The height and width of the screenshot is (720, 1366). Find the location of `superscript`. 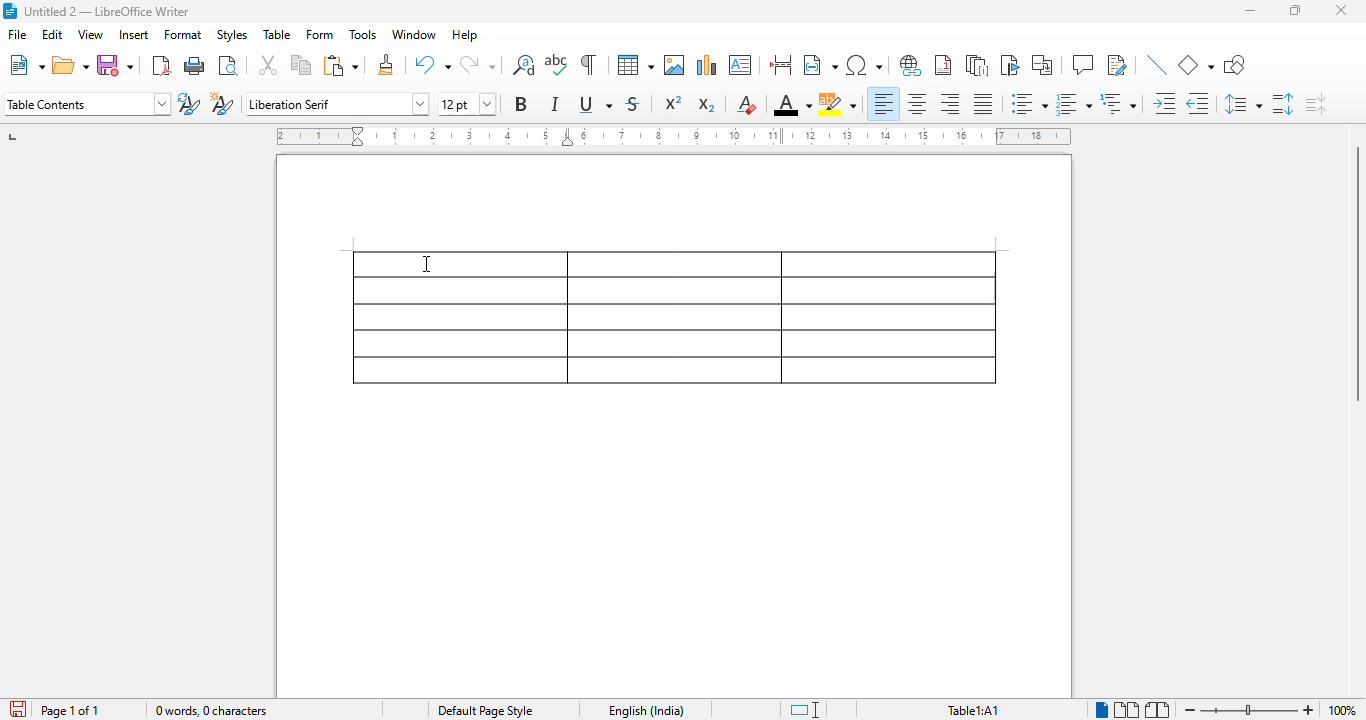

superscript is located at coordinates (674, 102).